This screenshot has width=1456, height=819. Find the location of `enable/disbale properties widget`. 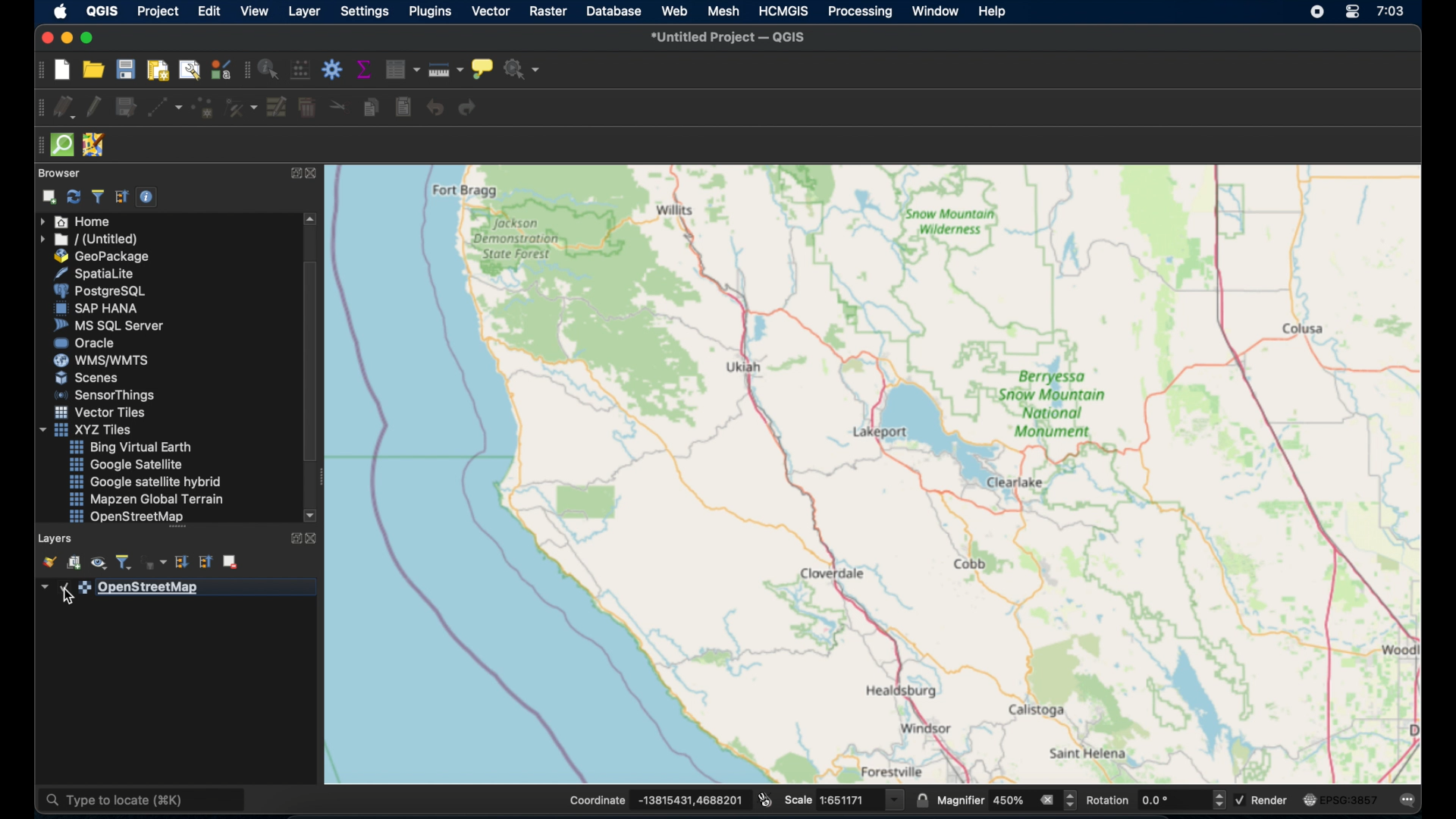

enable/disbale properties widget is located at coordinates (147, 199).